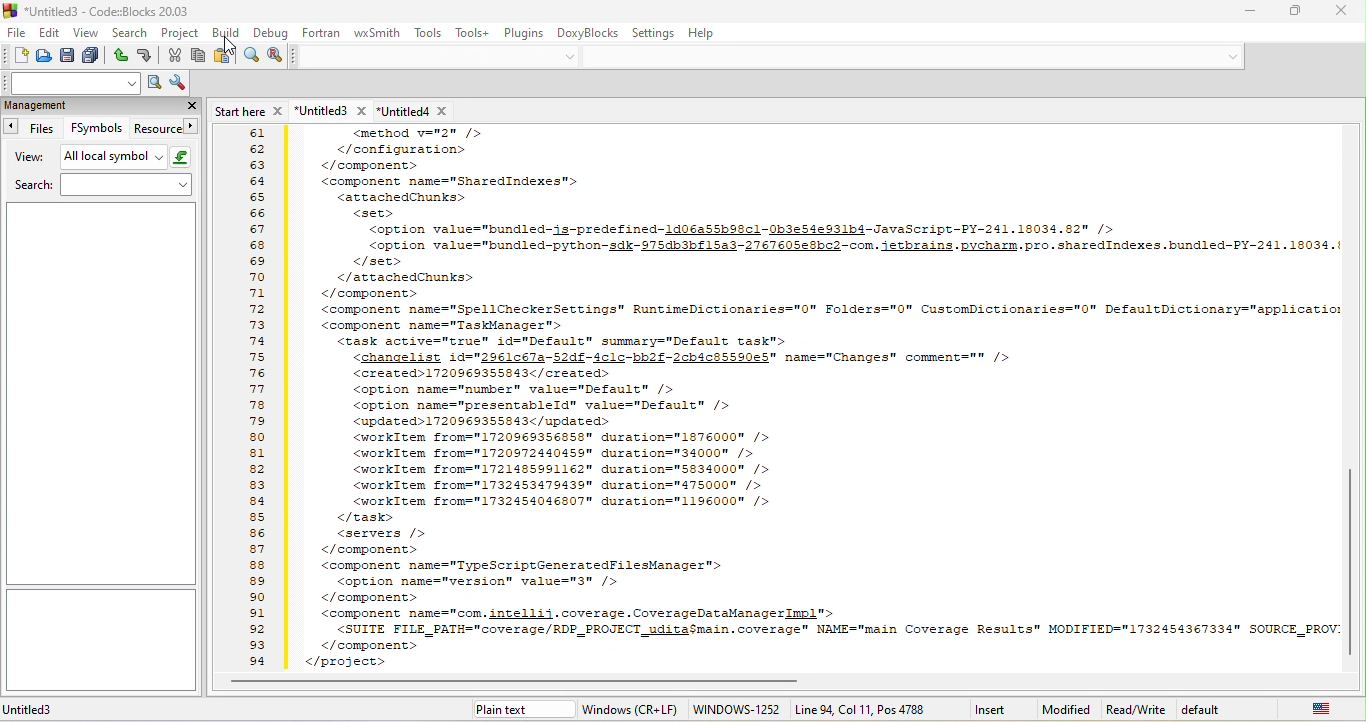 Image resolution: width=1366 pixels, height=722 pixels. What do you see at coordinates (45, 56) in the screenshot?
I see `open` at bounding box center [45, 56].